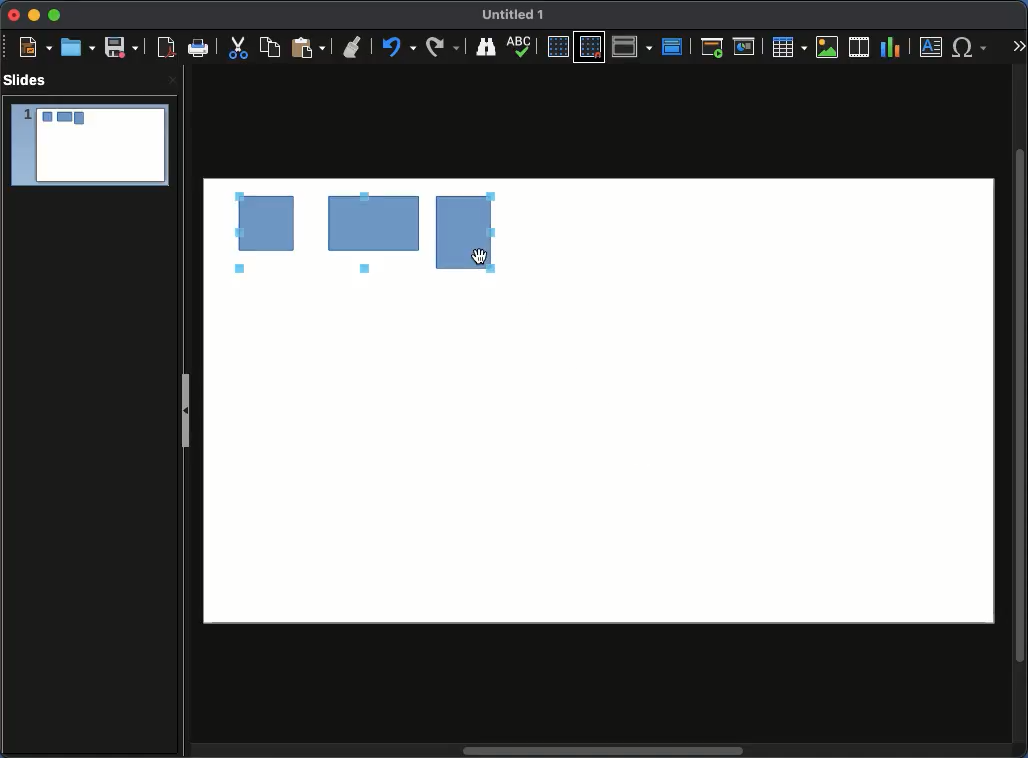  Describe the element at coordinates (306, 48) in the screenshot. I see `Paste` at that location.